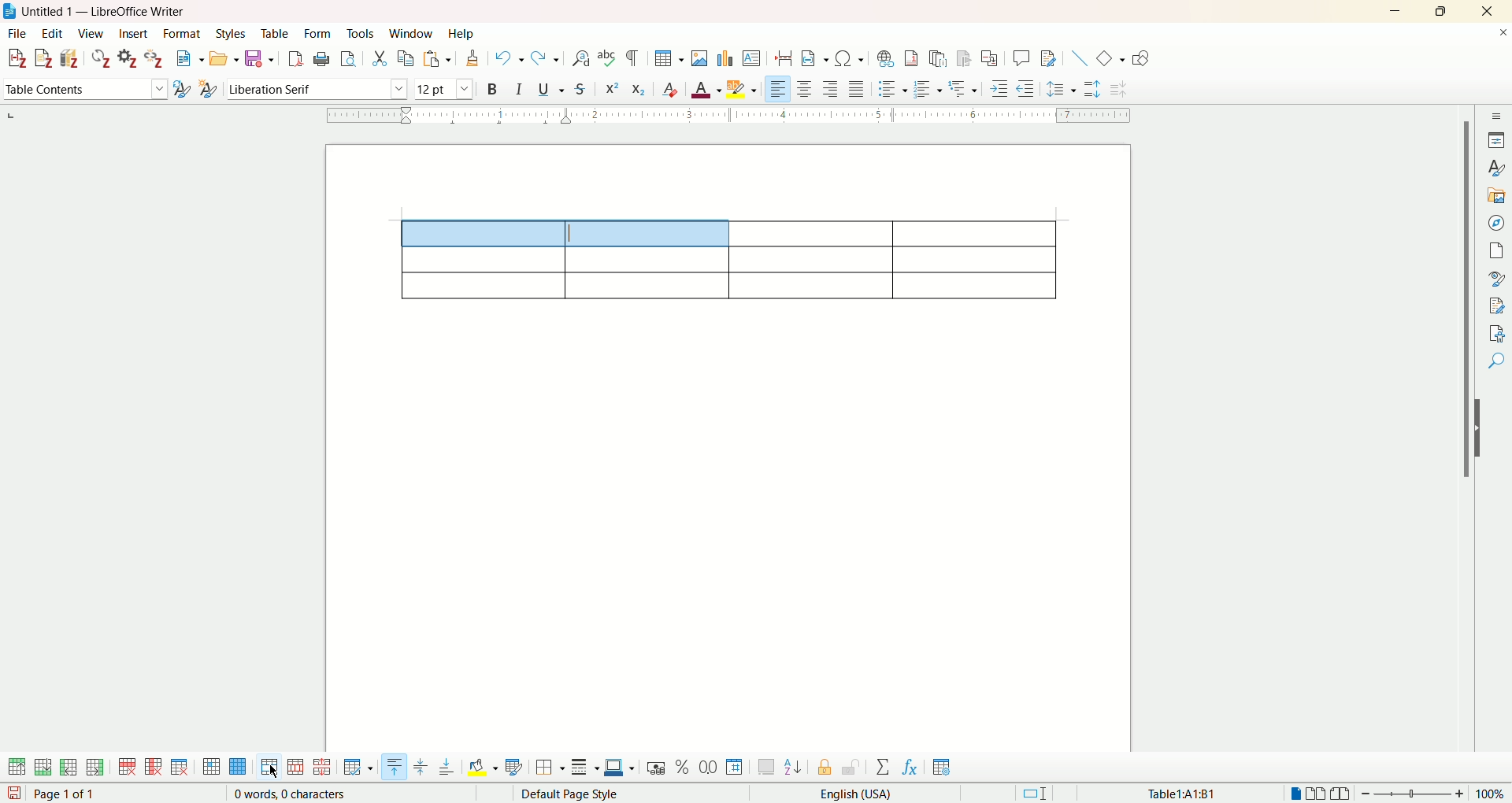  I want to click on find, so click(1499, 361).